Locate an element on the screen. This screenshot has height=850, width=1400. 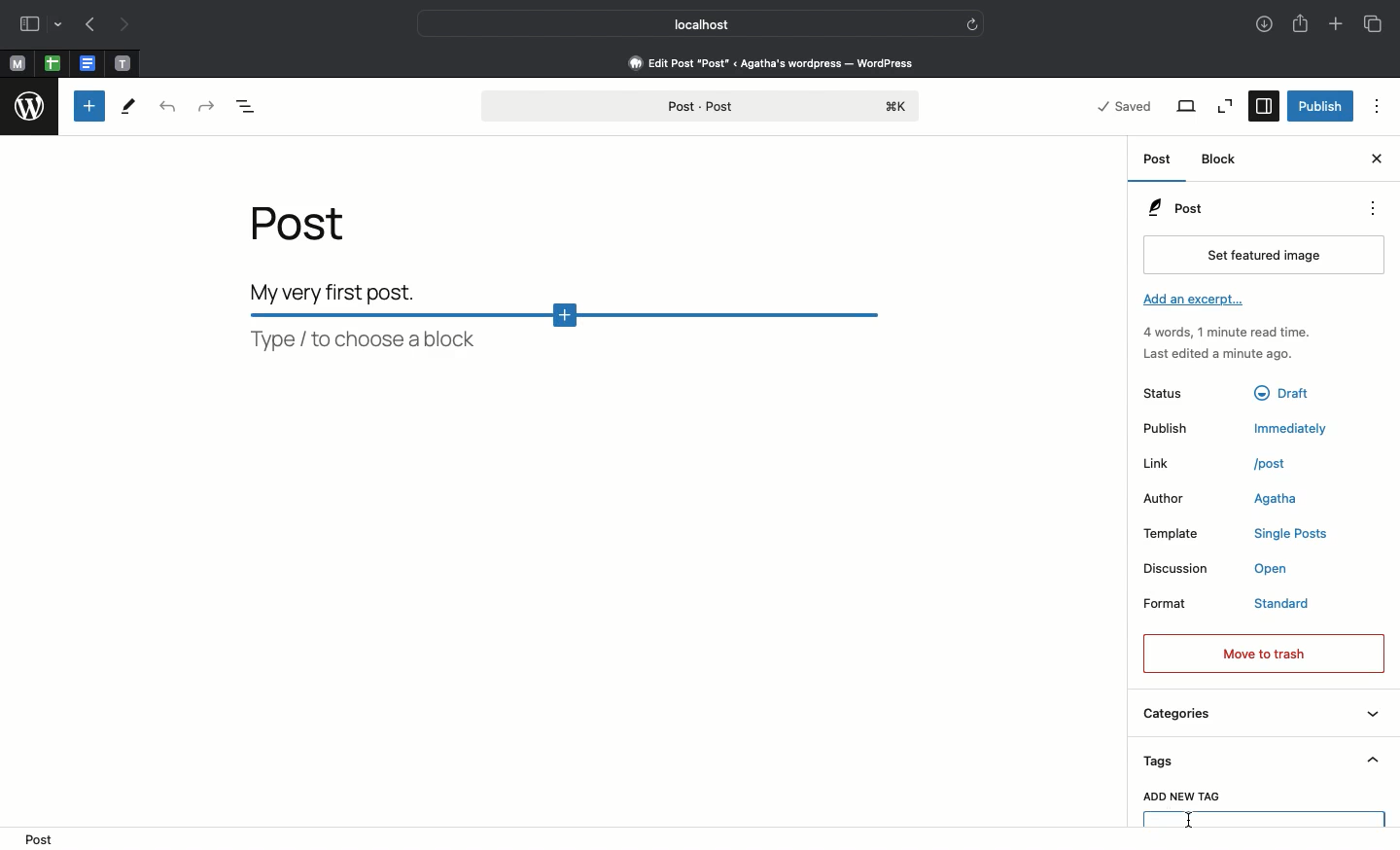
Body is located at coordinates (358, 287).